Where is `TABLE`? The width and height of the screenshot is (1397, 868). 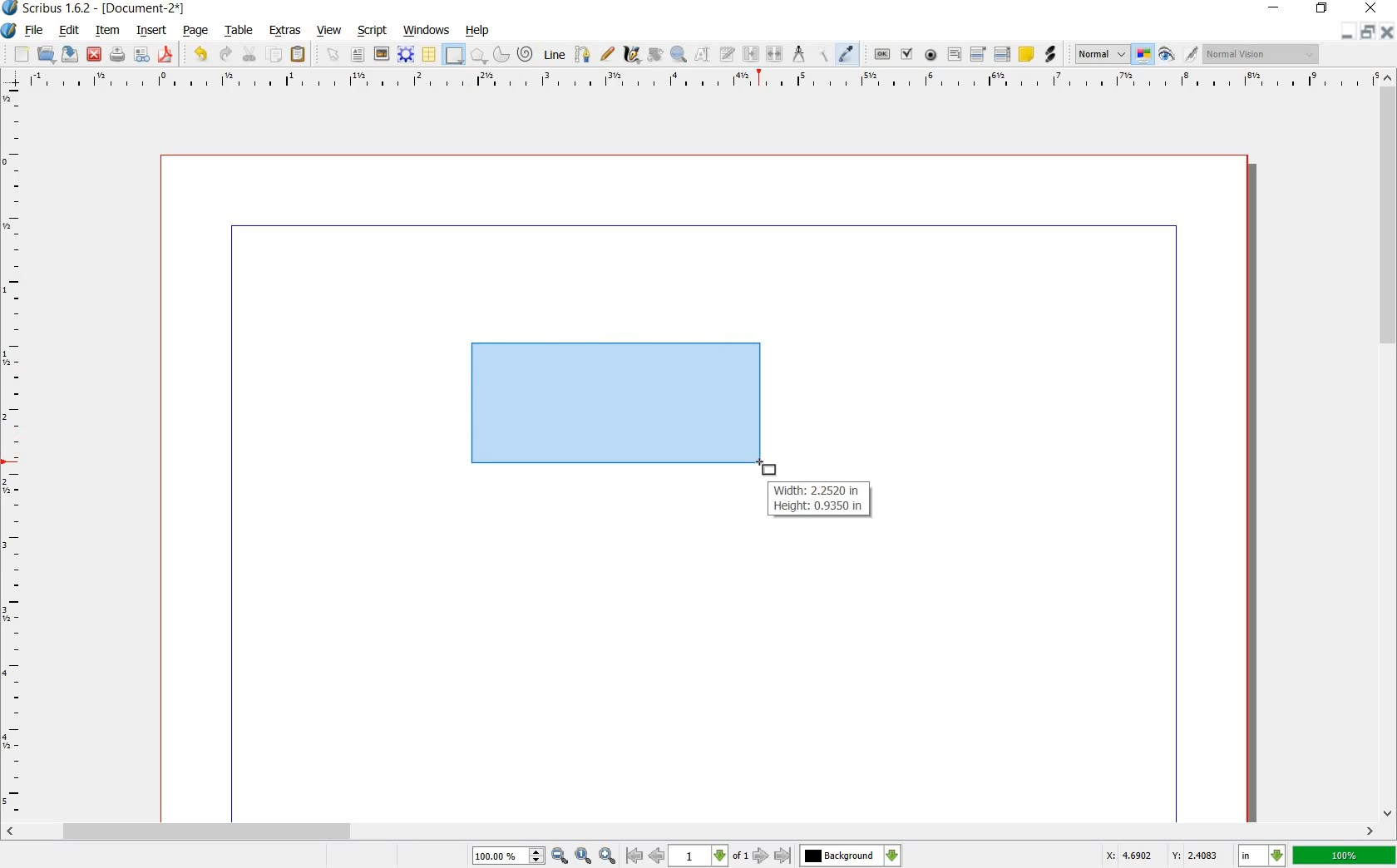
TABLE is located at coordinates (240, 32).